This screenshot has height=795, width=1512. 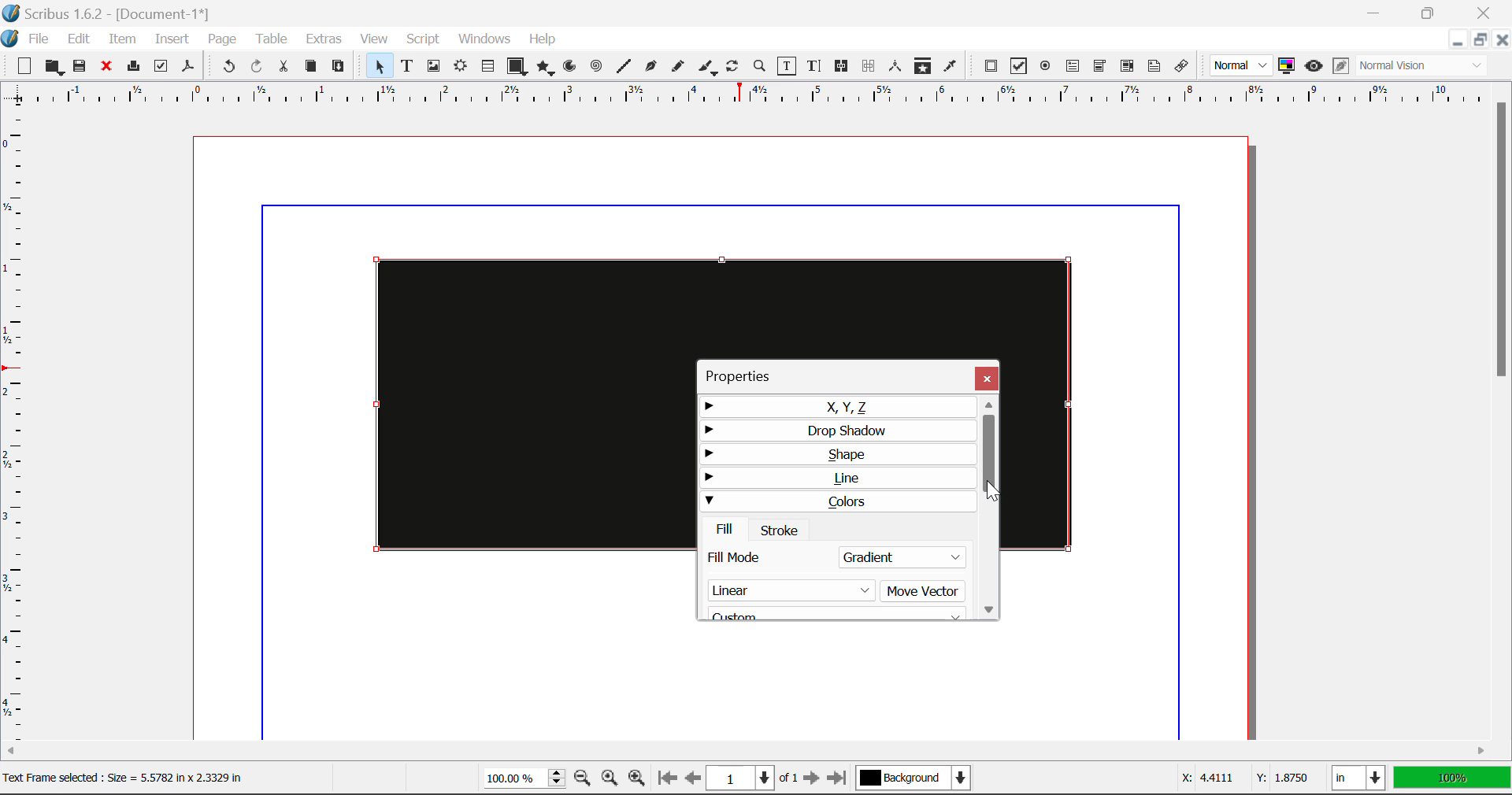 What do you see at coordinates (221, 40) in the screenshot?
I see `Page` at bounding box center [221, 40].